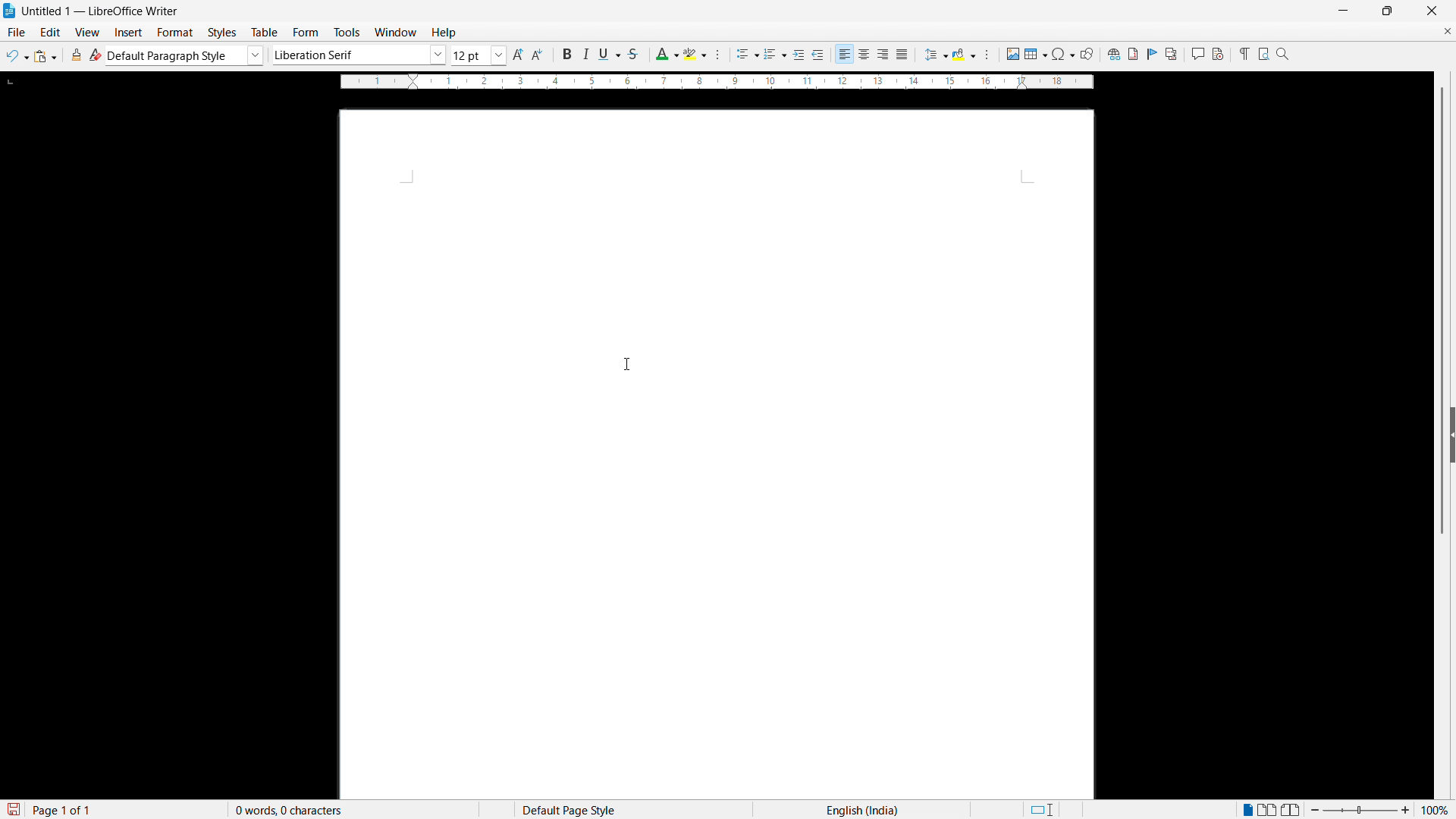  I want to click on Tools , so click(346, 33).